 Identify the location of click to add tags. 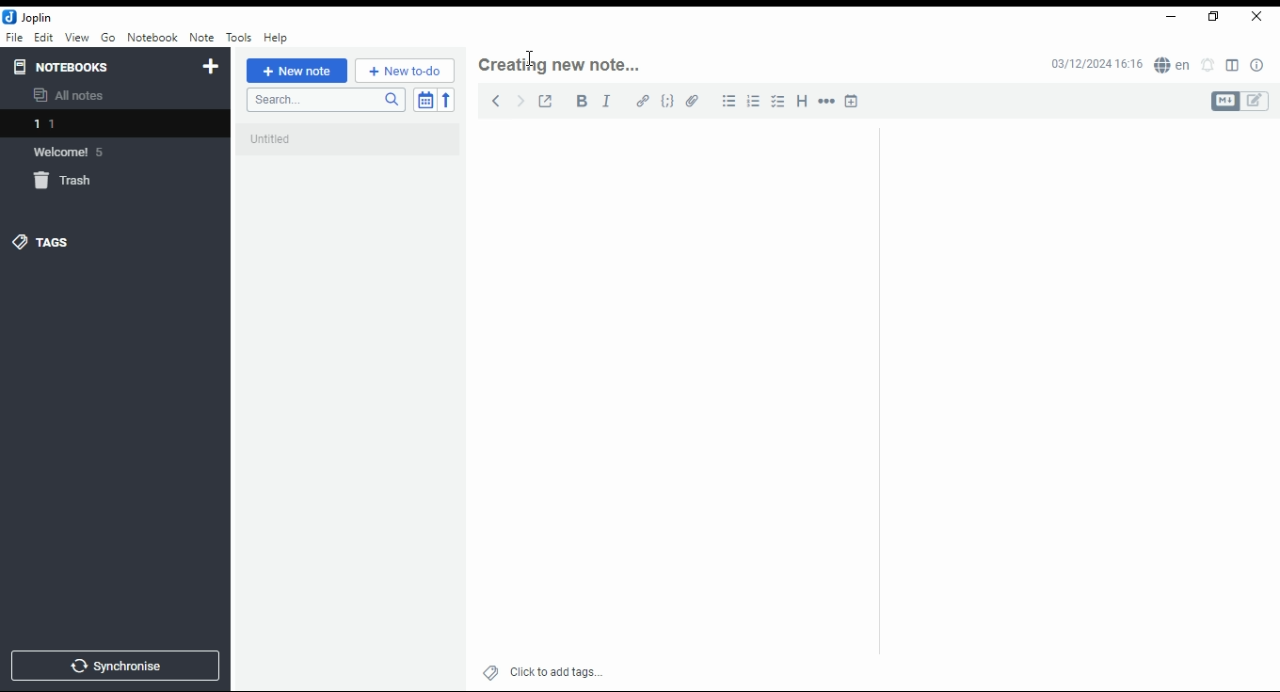
(556, 669).